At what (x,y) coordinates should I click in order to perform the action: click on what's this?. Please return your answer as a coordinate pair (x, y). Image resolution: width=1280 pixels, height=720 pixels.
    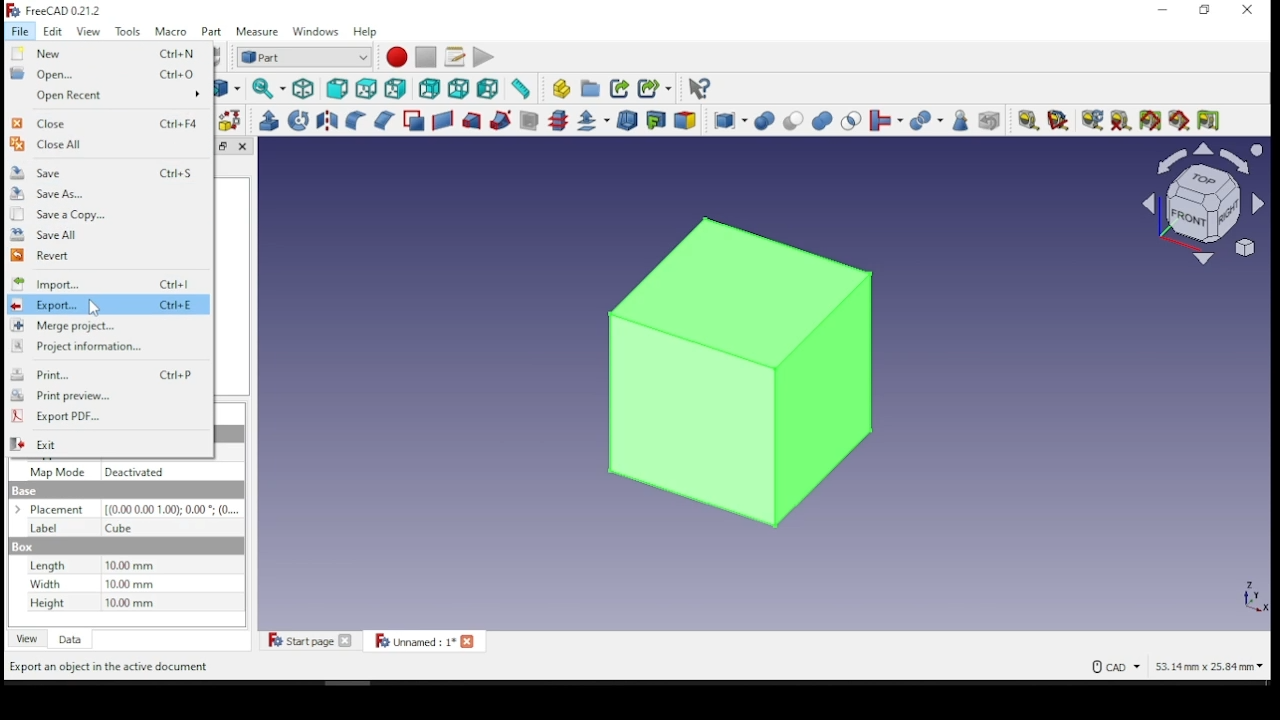
    Looking at the image, I should click on (699, 90).